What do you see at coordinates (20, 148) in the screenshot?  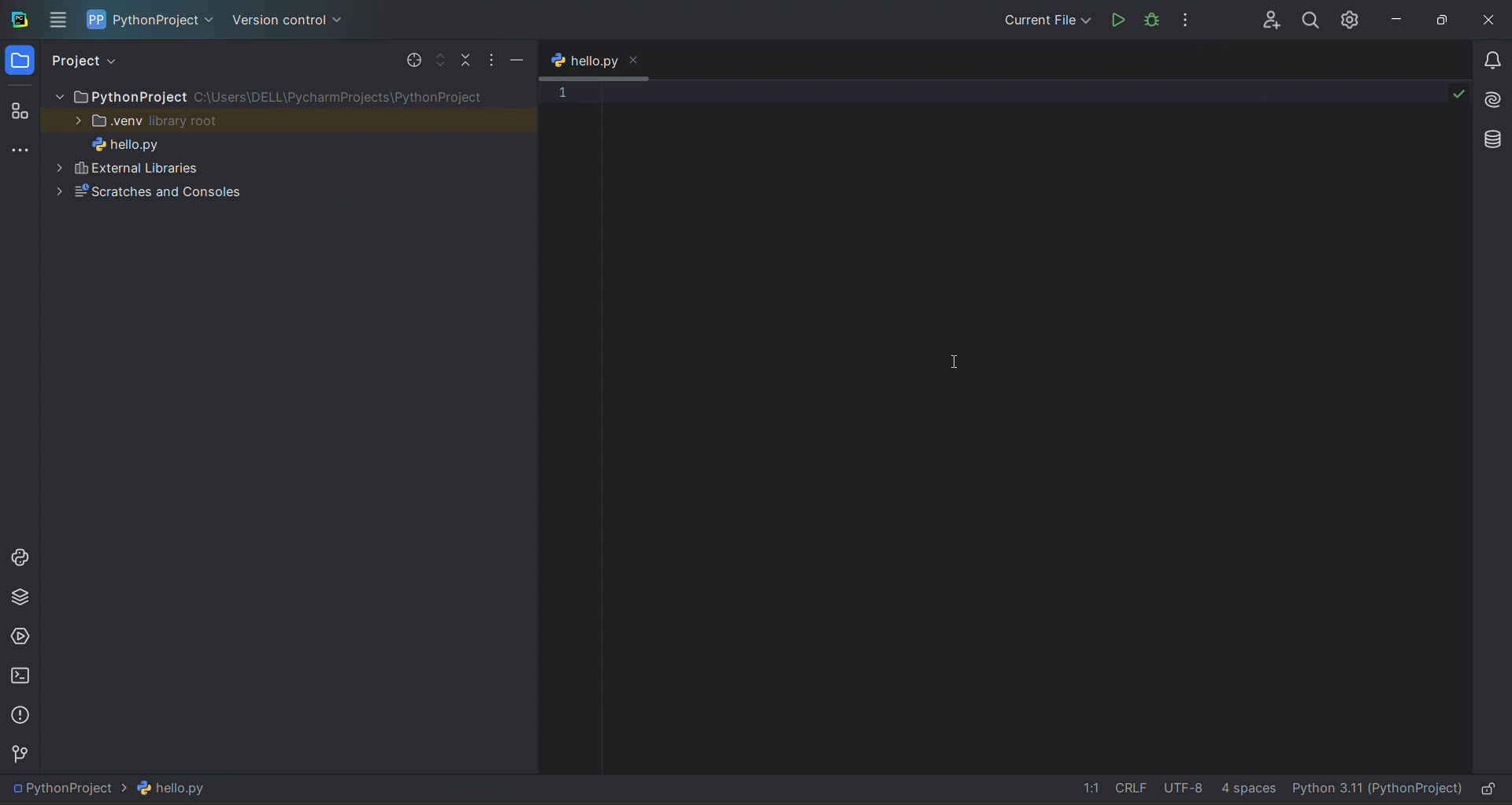 I see `more tools` at bounding box center [20, 148].